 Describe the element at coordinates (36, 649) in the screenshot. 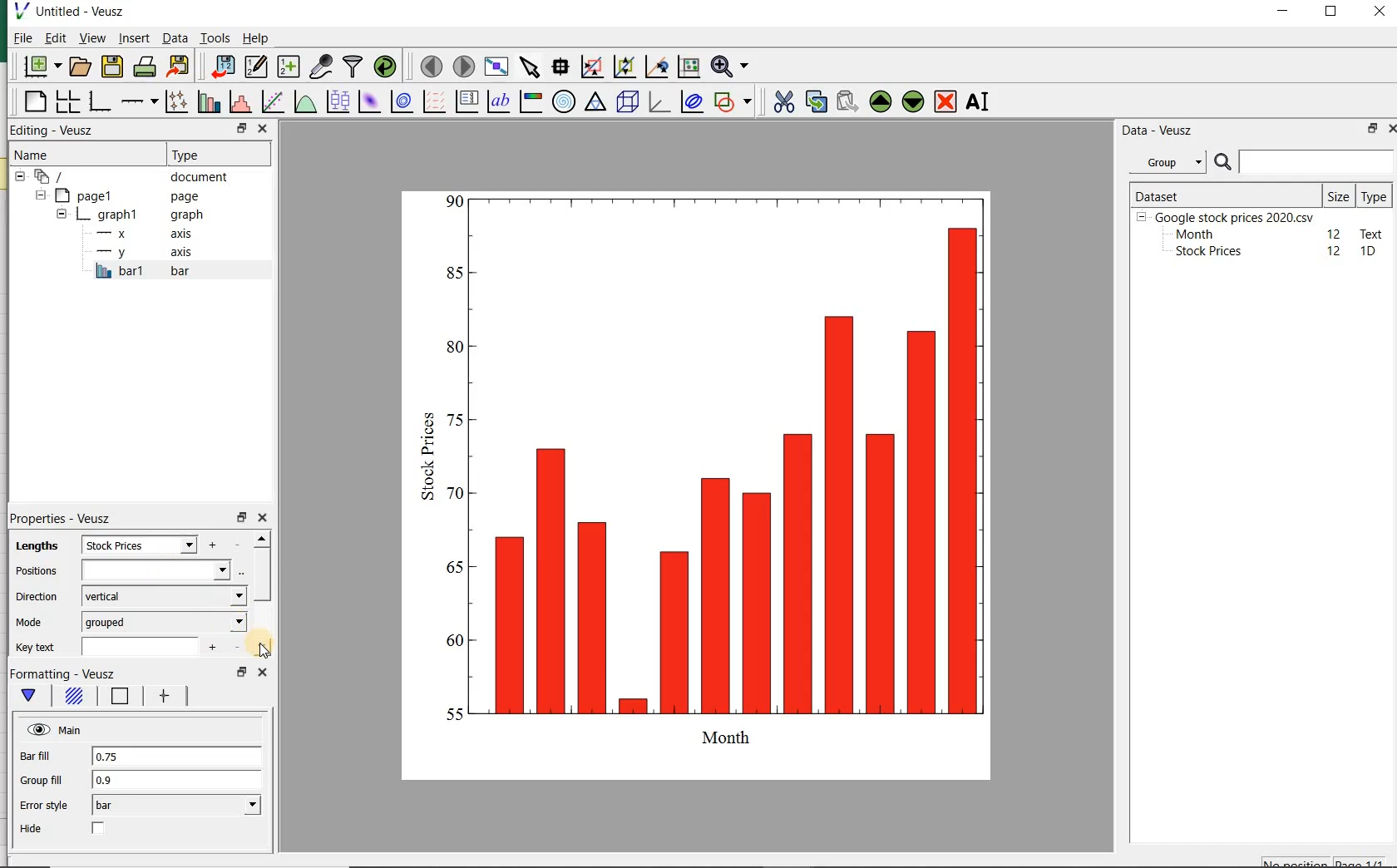

I see `Key text` at that location.